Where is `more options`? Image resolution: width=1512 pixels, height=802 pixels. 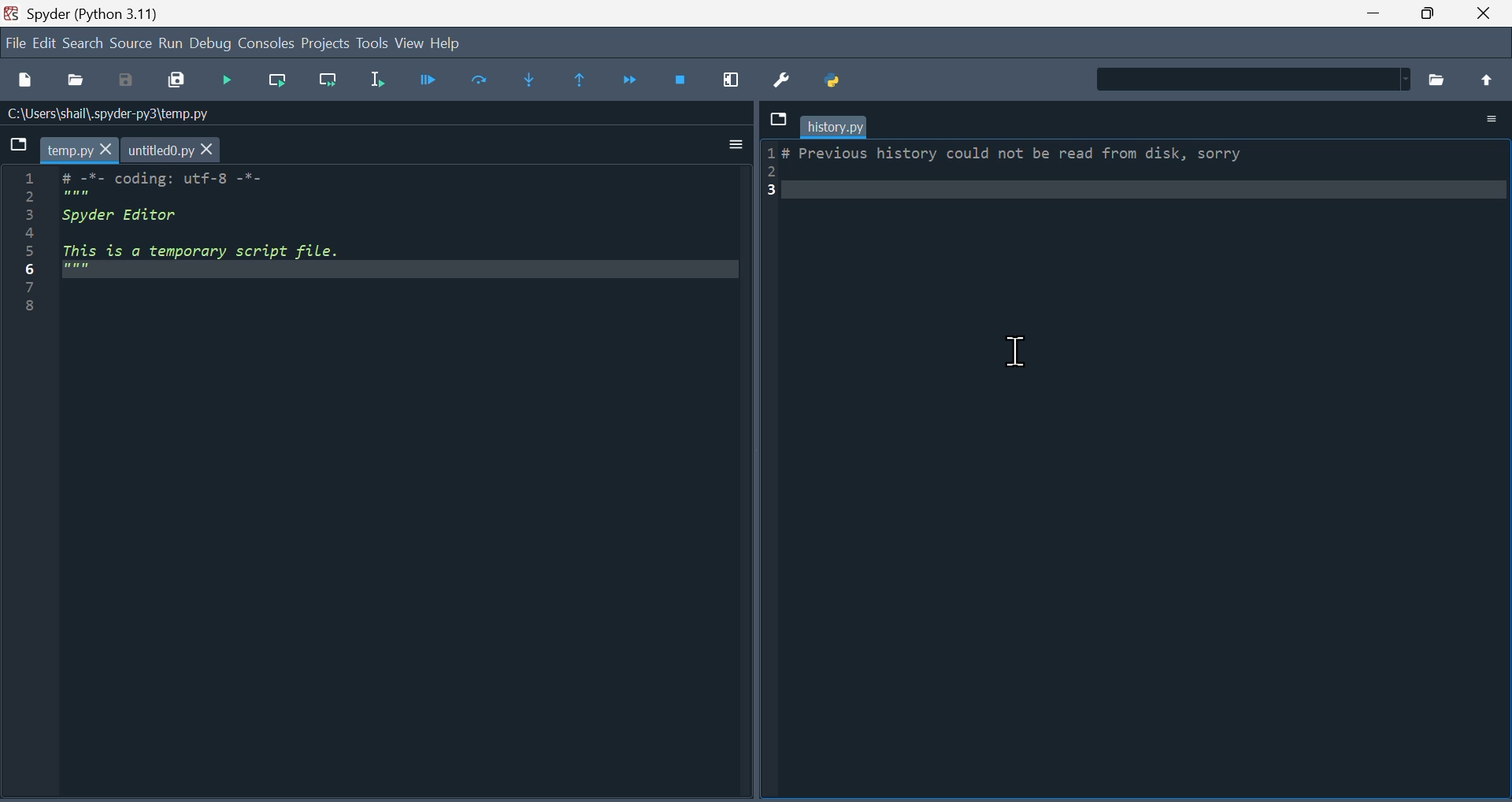
more options is located at coordinates (737, 144).